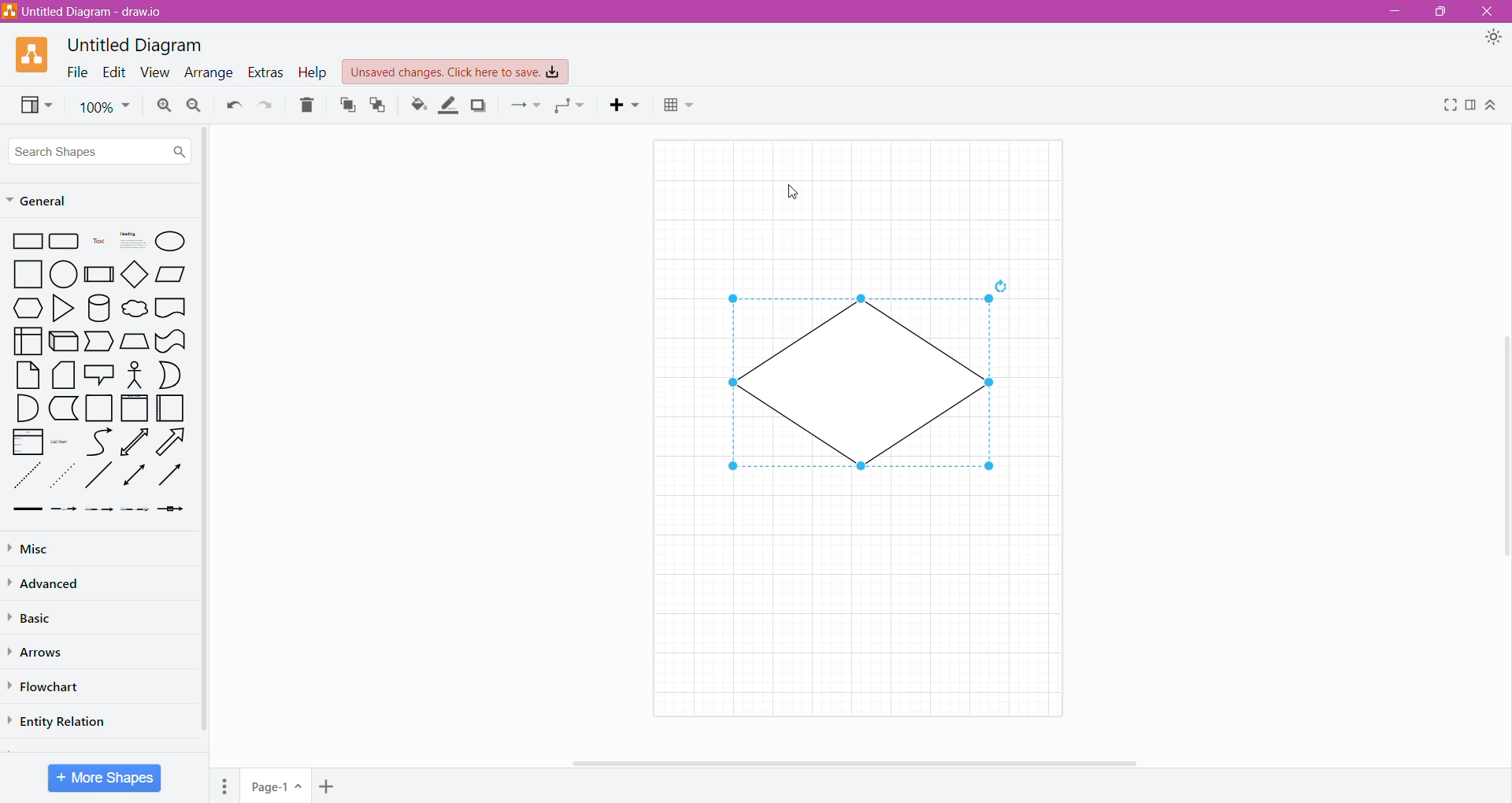 Image resolution: width=1512 pixels, height=803 pixels. Describe the element at coordinates (308, 105) in the screenshot. I see `Delete` at that location.